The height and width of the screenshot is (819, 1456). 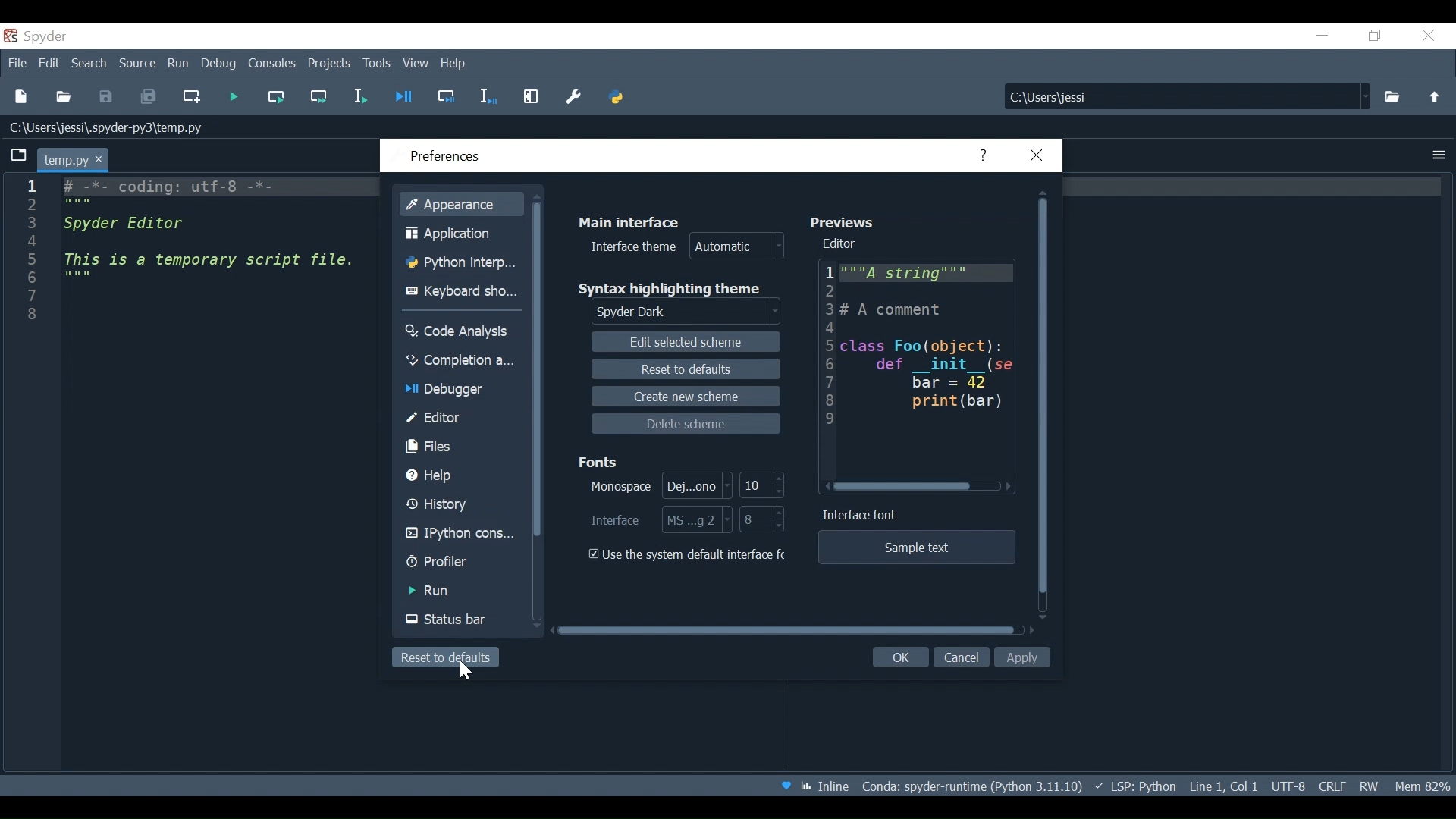 What do you see at coordinates (111, 128) in the screenshot?
I see `File Path` at bounding box center [111, 128].